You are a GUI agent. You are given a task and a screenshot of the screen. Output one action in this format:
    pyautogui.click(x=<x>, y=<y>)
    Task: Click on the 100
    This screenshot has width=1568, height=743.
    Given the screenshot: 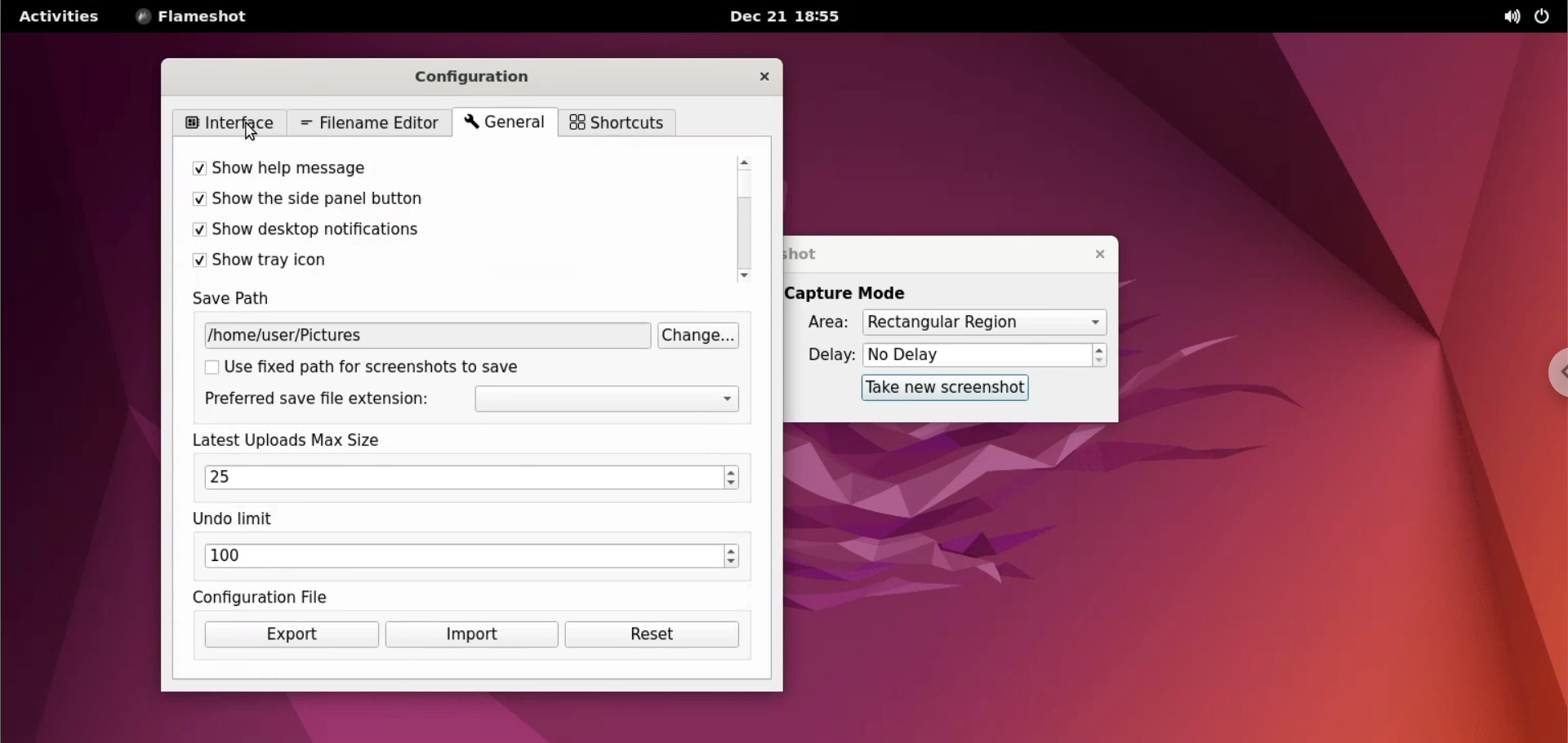 What is the action you would take?
    pyautogui.click(x=464, y=556)
    